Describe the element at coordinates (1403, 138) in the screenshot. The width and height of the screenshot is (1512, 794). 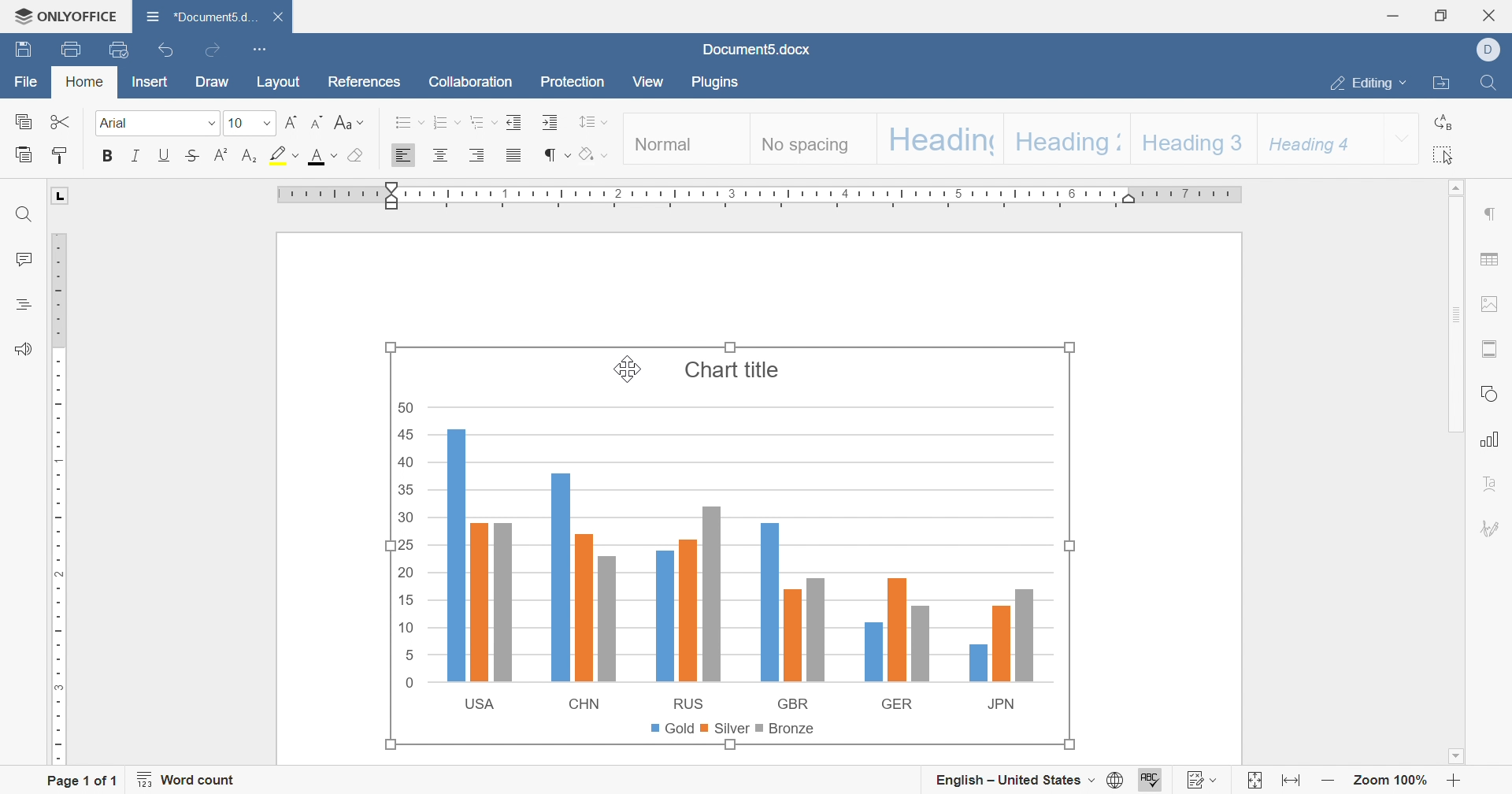
I see `drop down` at that location.